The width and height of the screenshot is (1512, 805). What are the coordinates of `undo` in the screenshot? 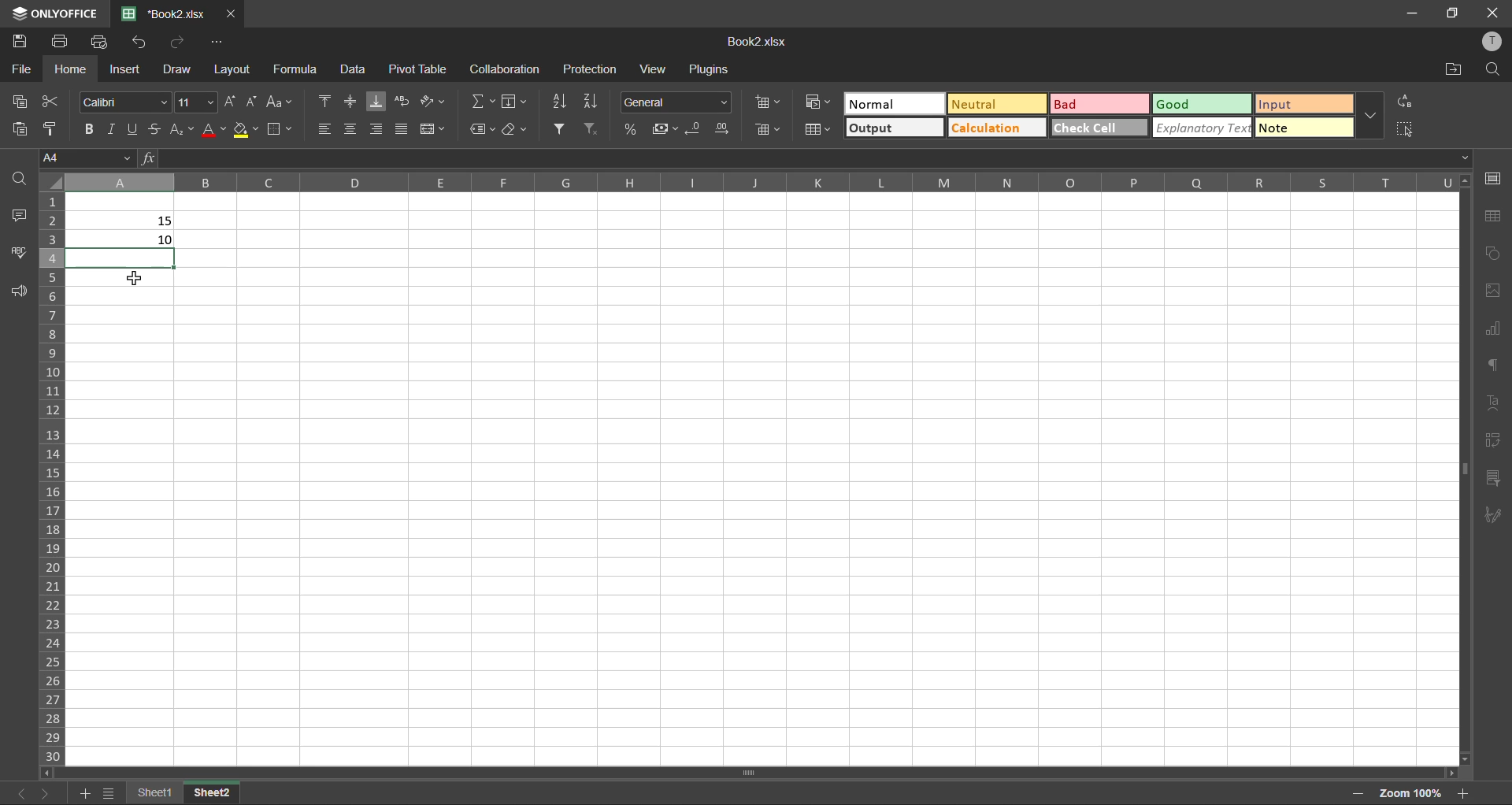 It's located at (143, 43).